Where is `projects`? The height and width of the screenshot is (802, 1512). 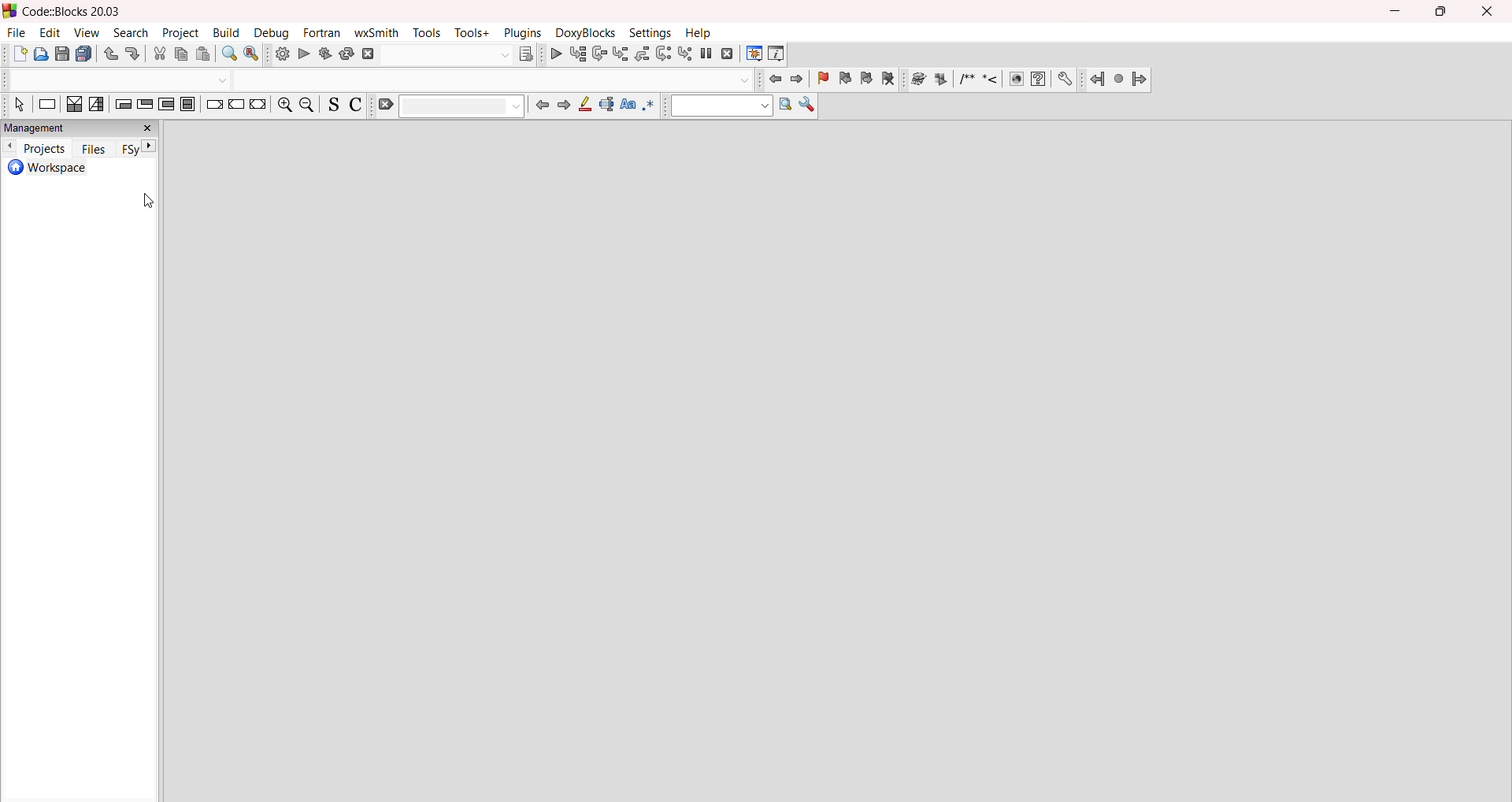
projects is located at coordinates (44, 148).